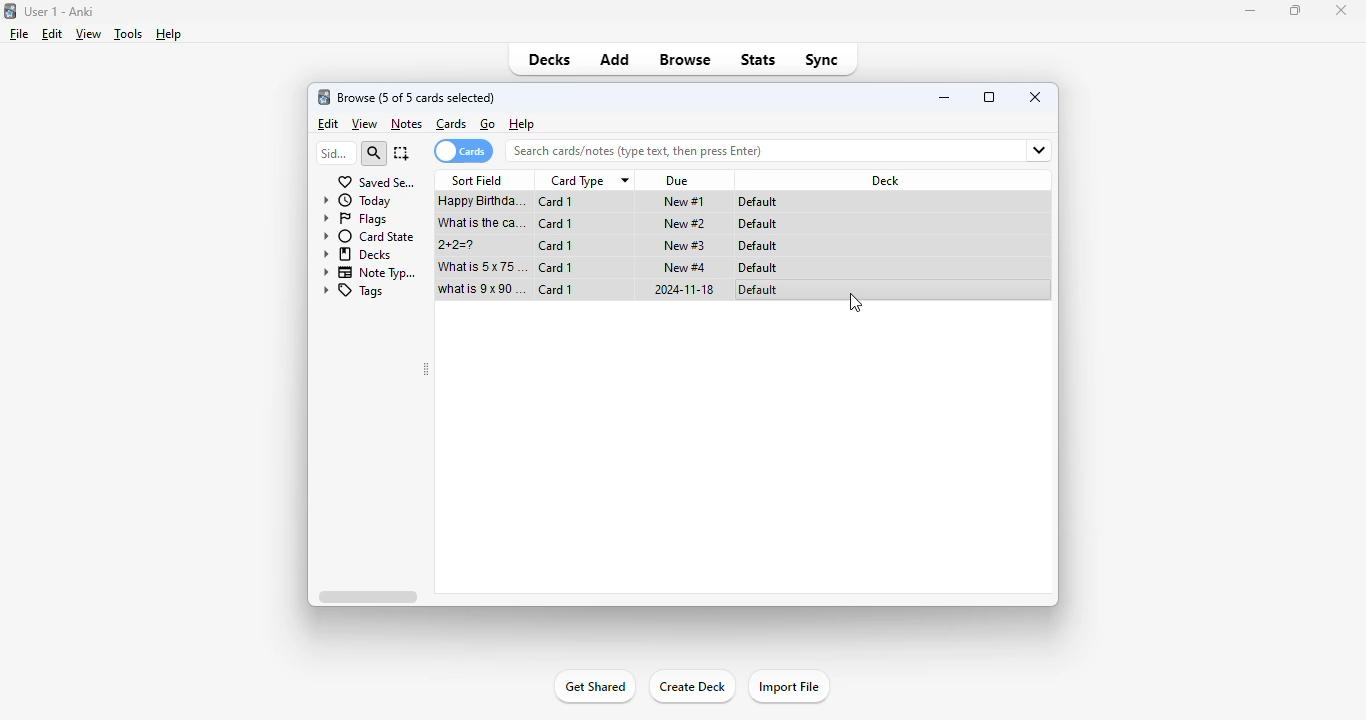 The height and width of the screenshot is (720, 1366). I want to click on card 1, so click(555, 267).